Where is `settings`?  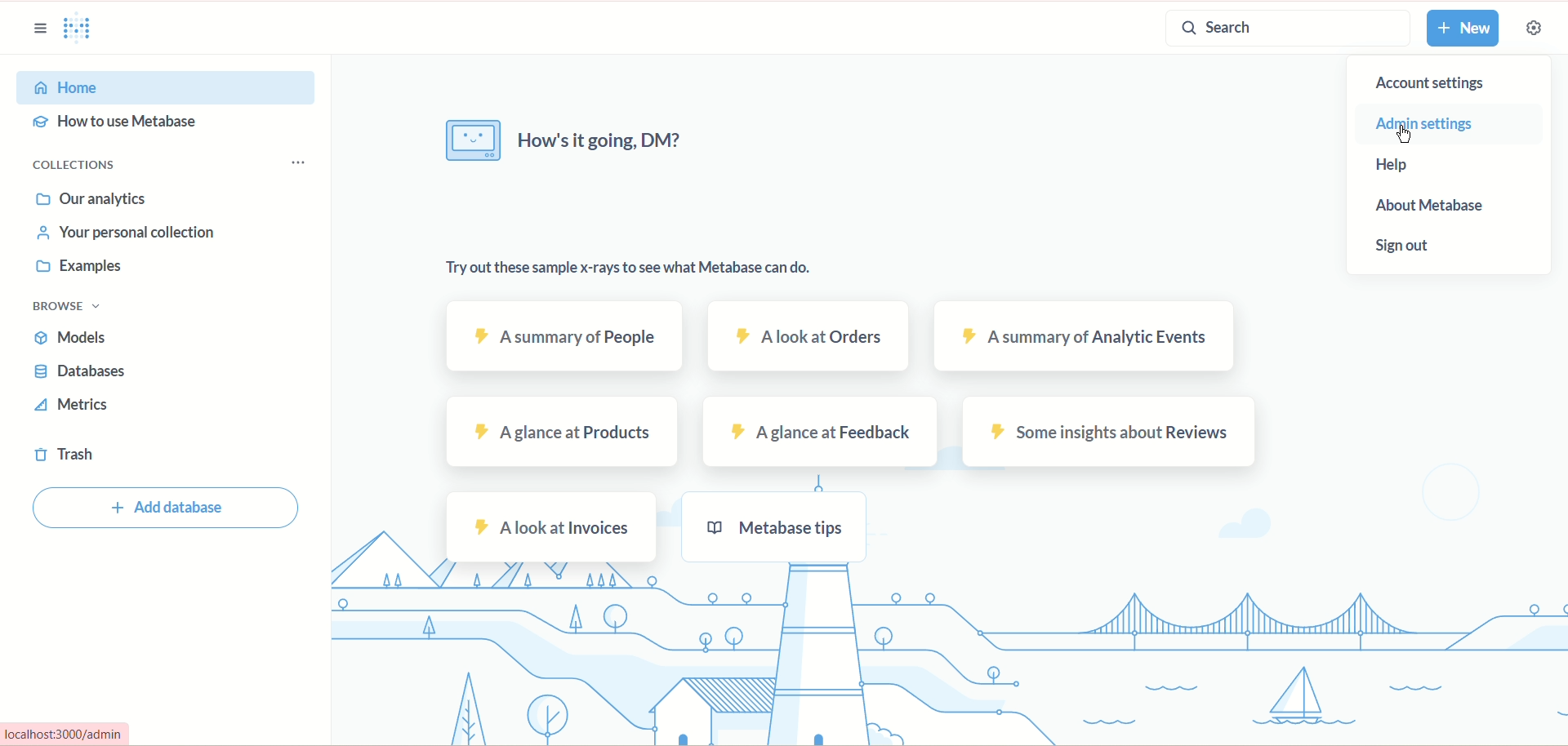
settings is located at coordinates (1530, 29).